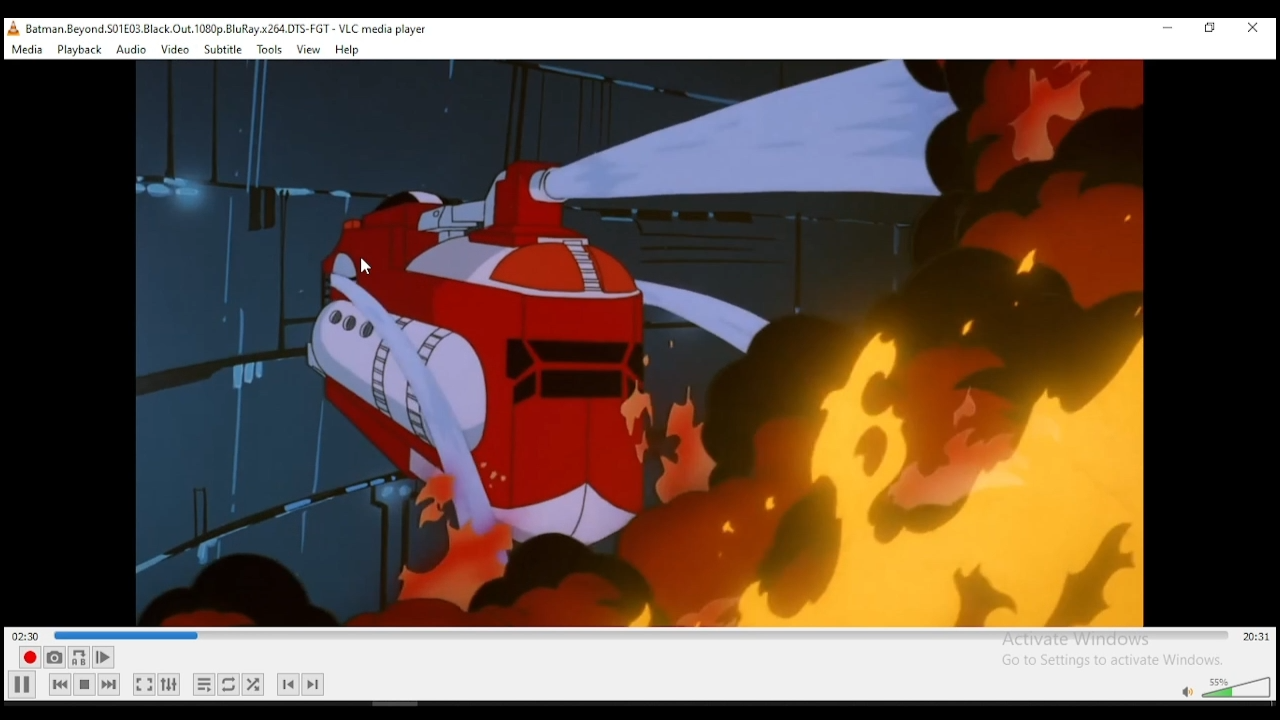  I want to click on show extended settings, so click(169, 684).